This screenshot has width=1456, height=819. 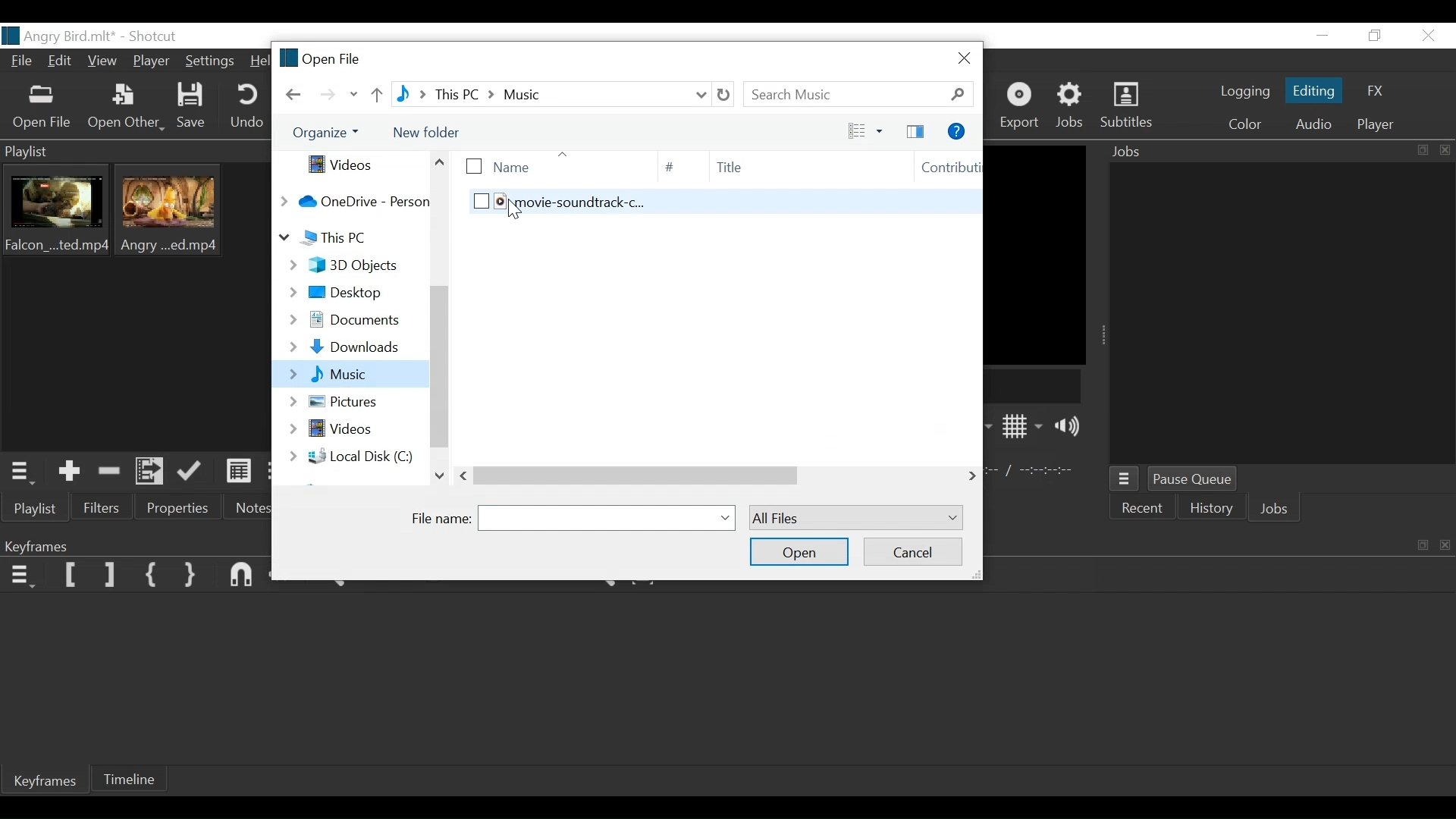 I want to click on Close, so click(x=961, y=58).